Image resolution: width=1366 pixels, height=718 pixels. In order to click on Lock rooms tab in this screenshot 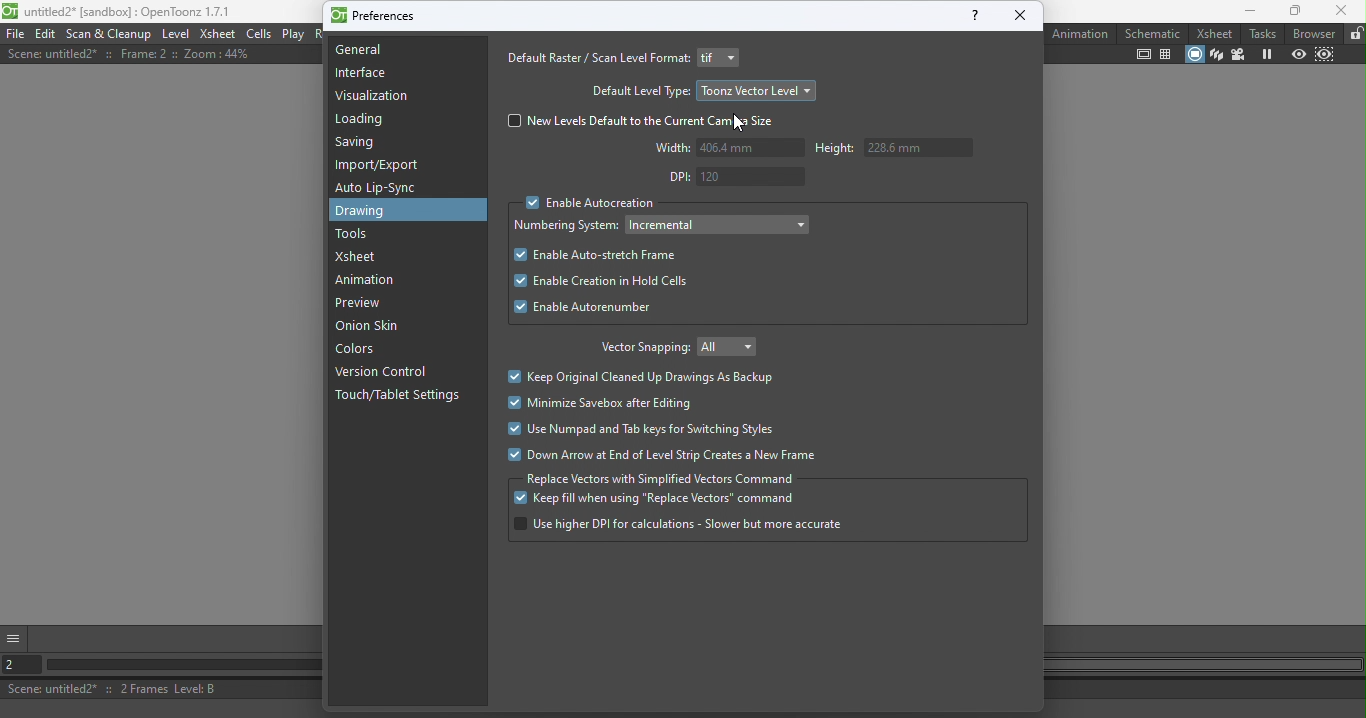, I will do `click(1354, 34)`.